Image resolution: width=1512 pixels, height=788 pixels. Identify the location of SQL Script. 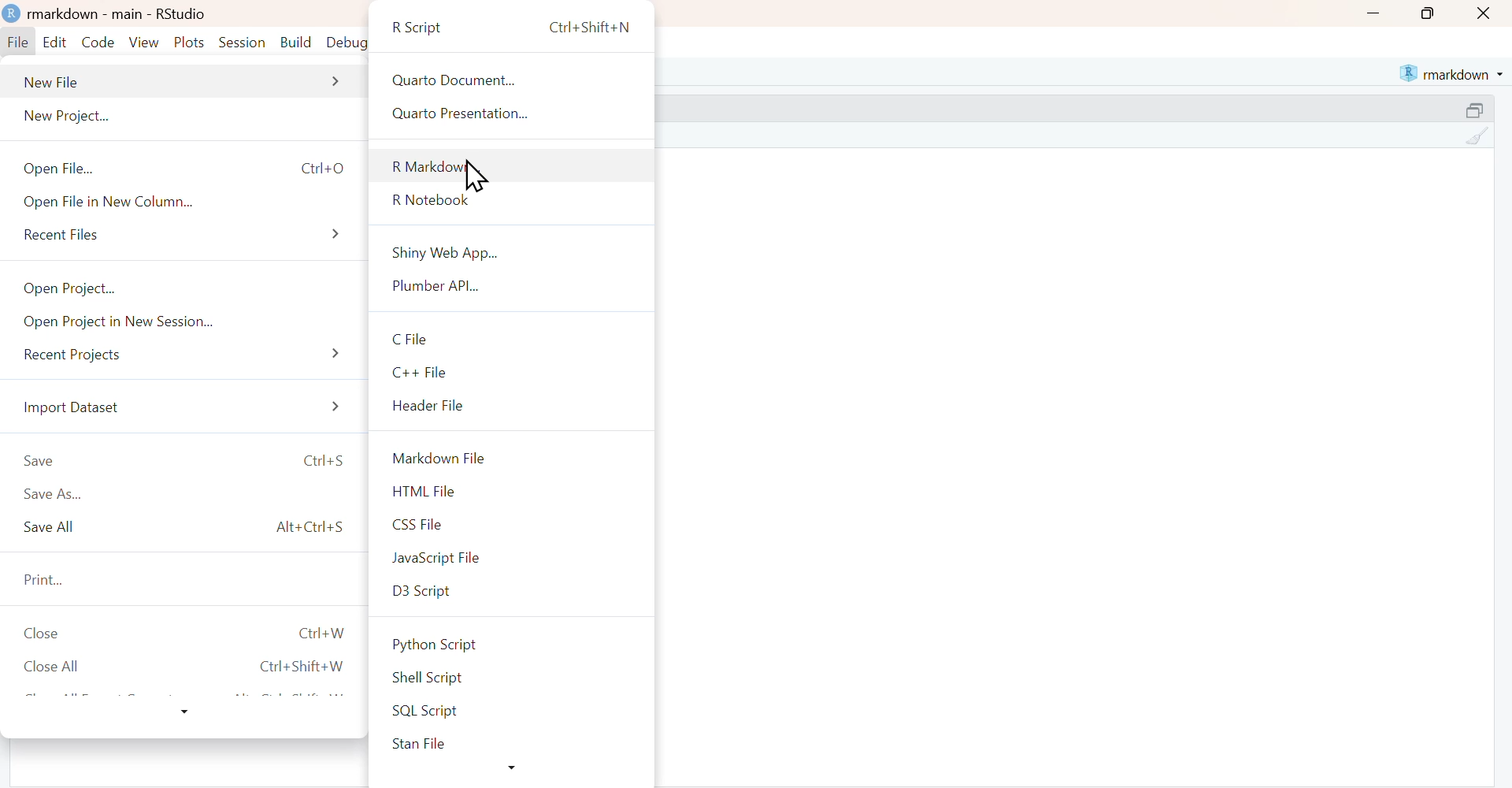
(517, 711).